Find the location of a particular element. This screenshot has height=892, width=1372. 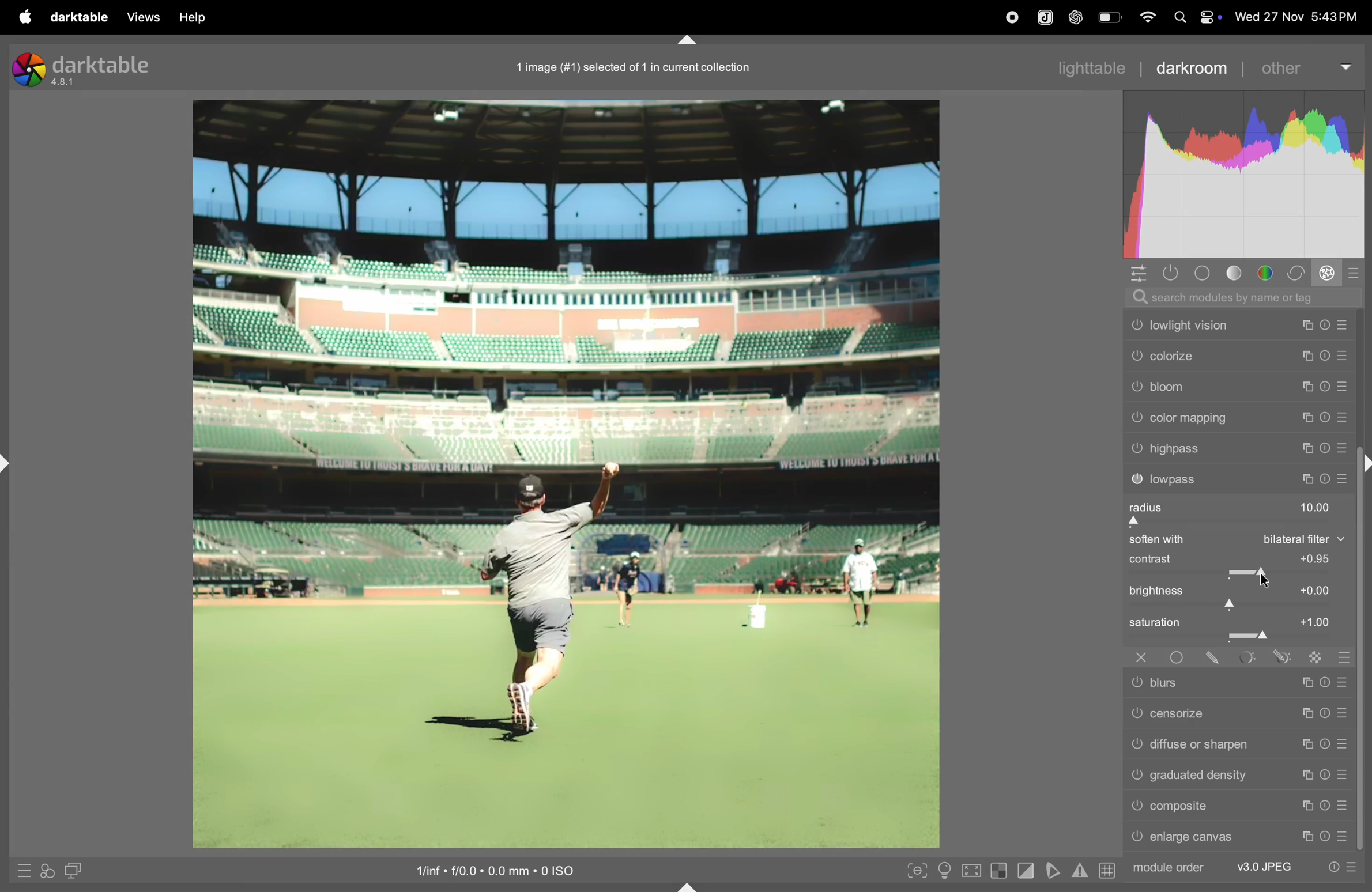

battery is located at coordinates (1111, 17).